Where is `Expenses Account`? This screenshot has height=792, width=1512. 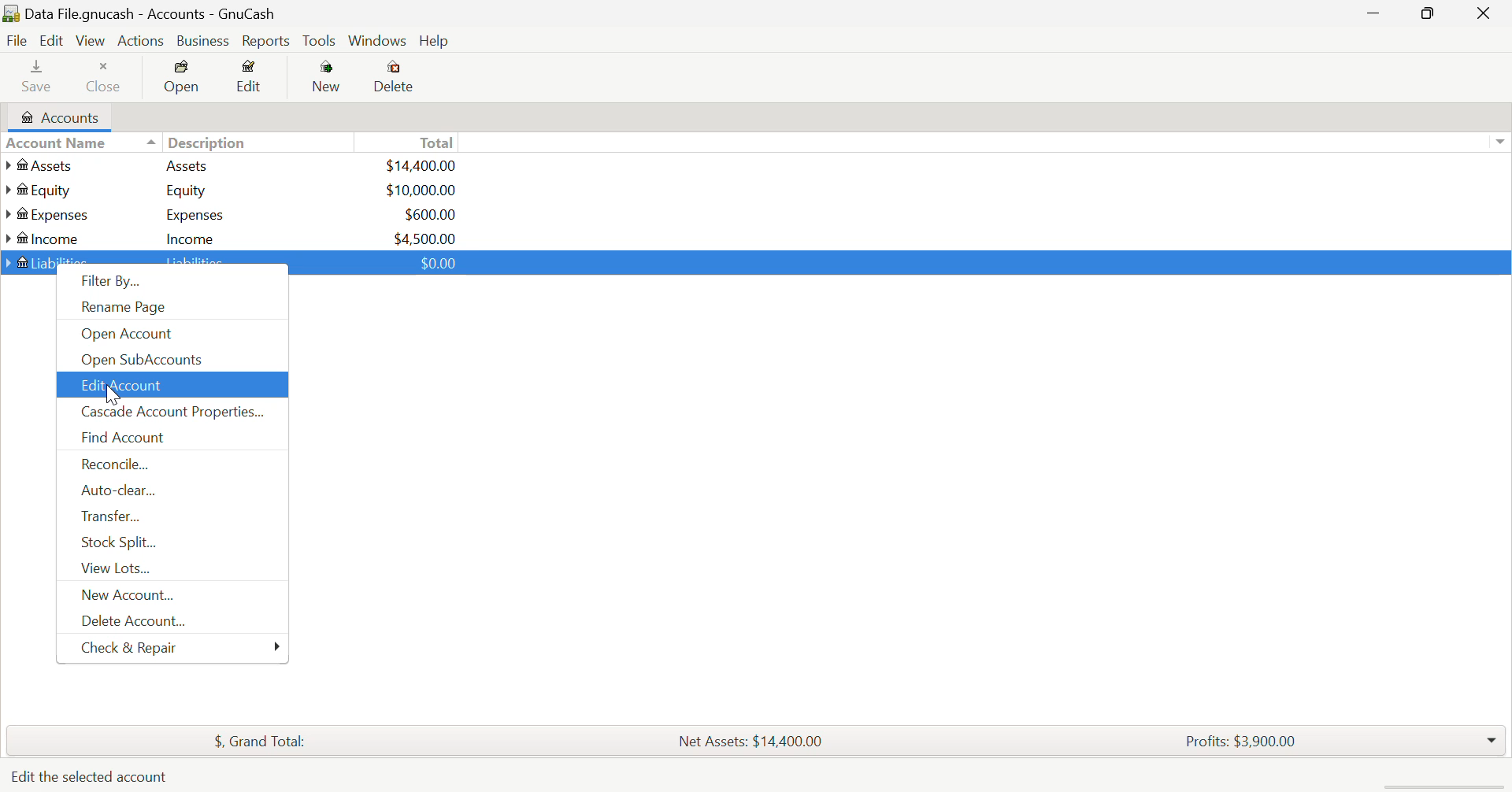
Expenses Account is located at coordinates (46, 214).